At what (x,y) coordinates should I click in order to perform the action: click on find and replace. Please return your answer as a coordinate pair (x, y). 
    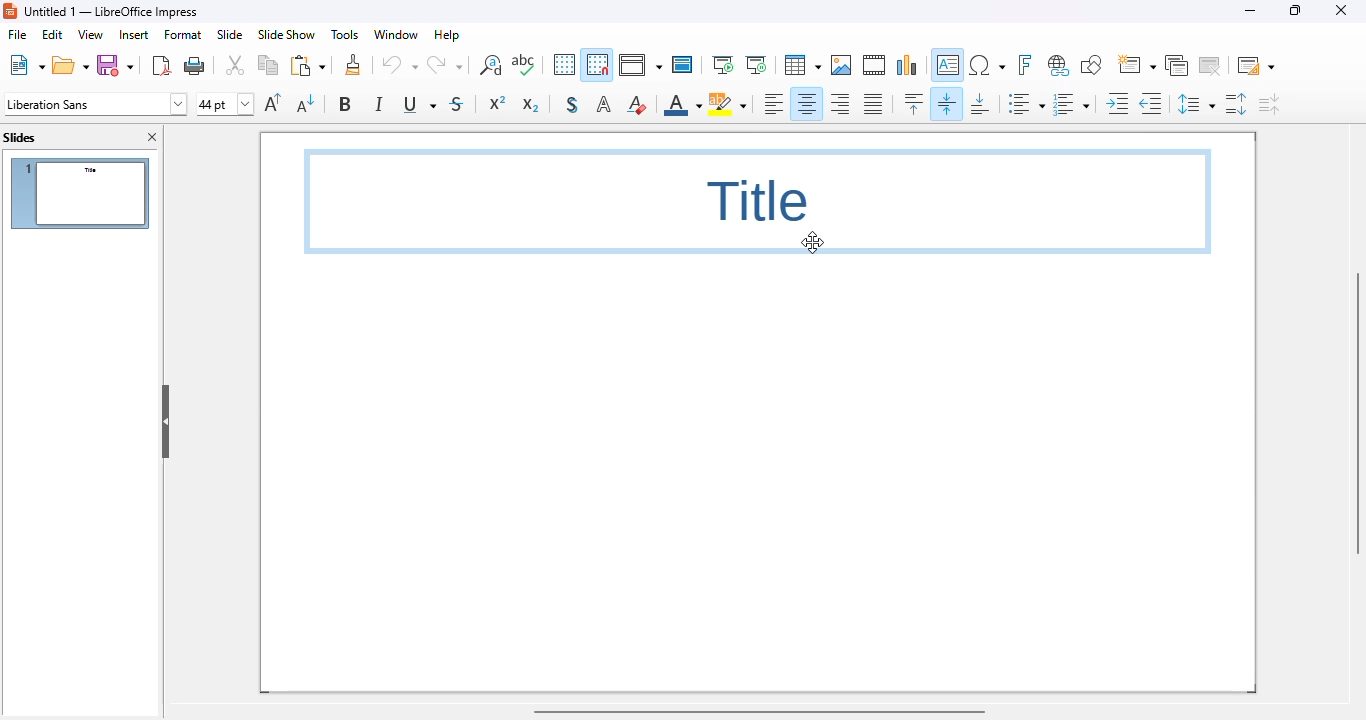
    Looking at the image, I should click on (491, 65).